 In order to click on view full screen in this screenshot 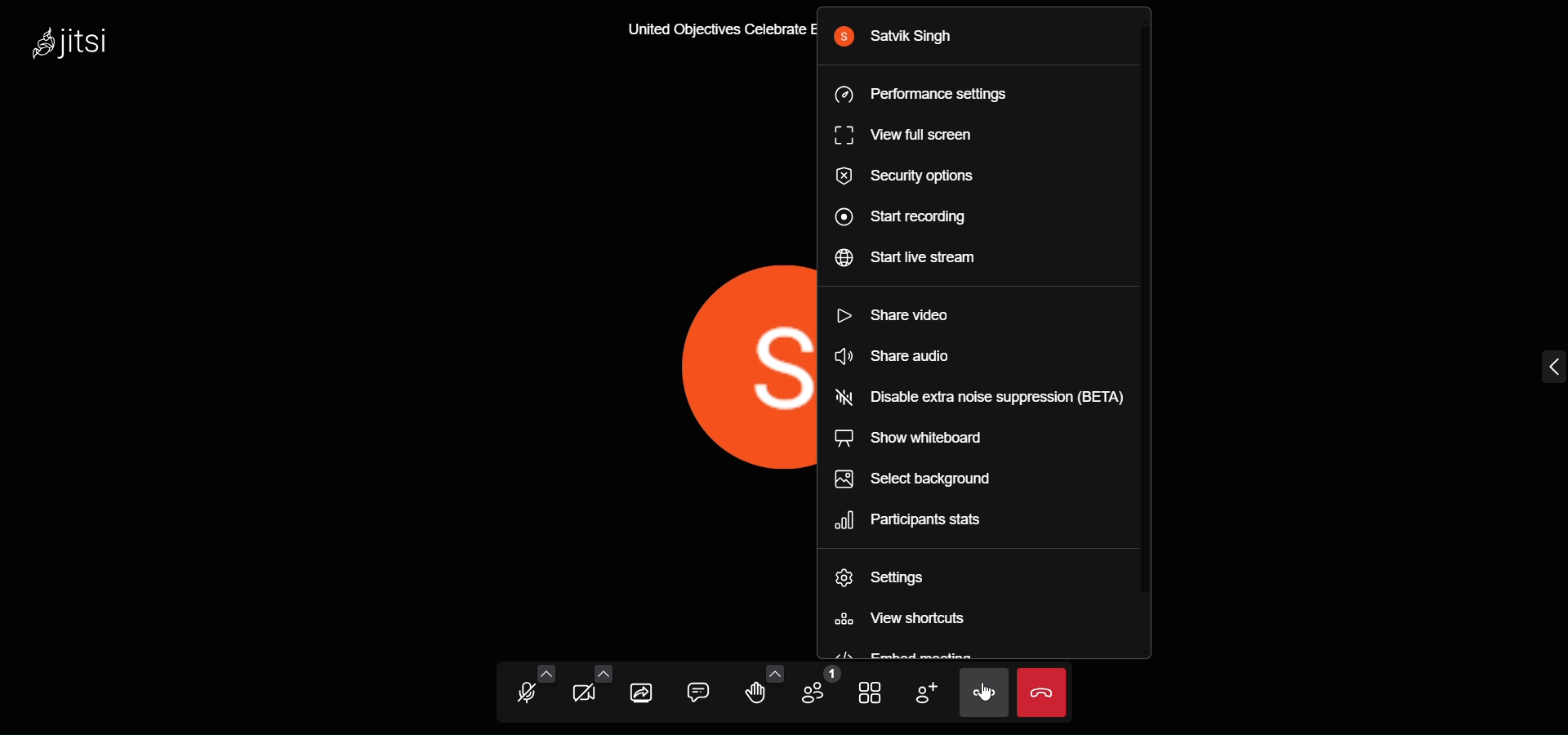, I will do `click(915, 136)`.